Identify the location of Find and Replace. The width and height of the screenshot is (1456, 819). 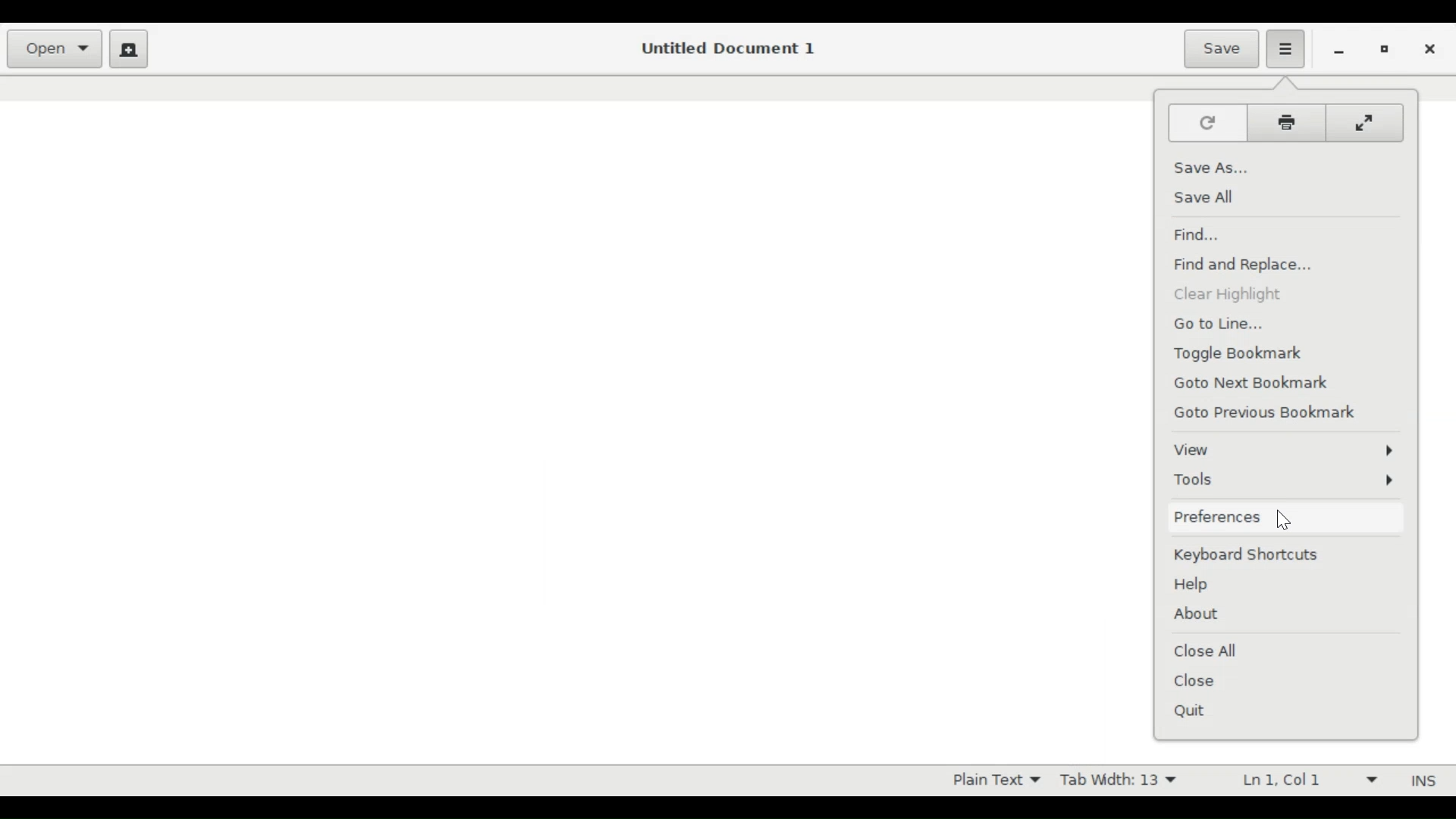
(1247, 266).